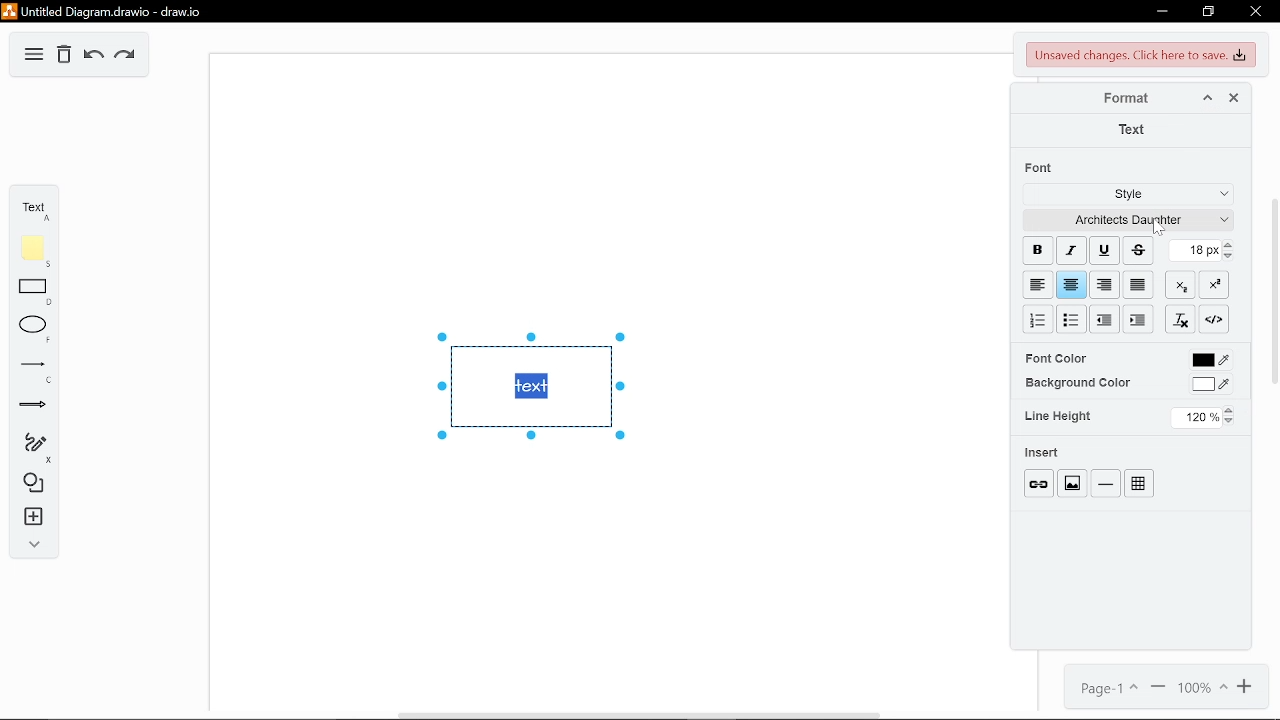 Image resolution: width=1280 pixels, height=720 pixels. What do you see at coordinates (107, 11) in the screenshot?
I see `untitiled diagram.drawio - draw.io` at bounding box center [107, 11].